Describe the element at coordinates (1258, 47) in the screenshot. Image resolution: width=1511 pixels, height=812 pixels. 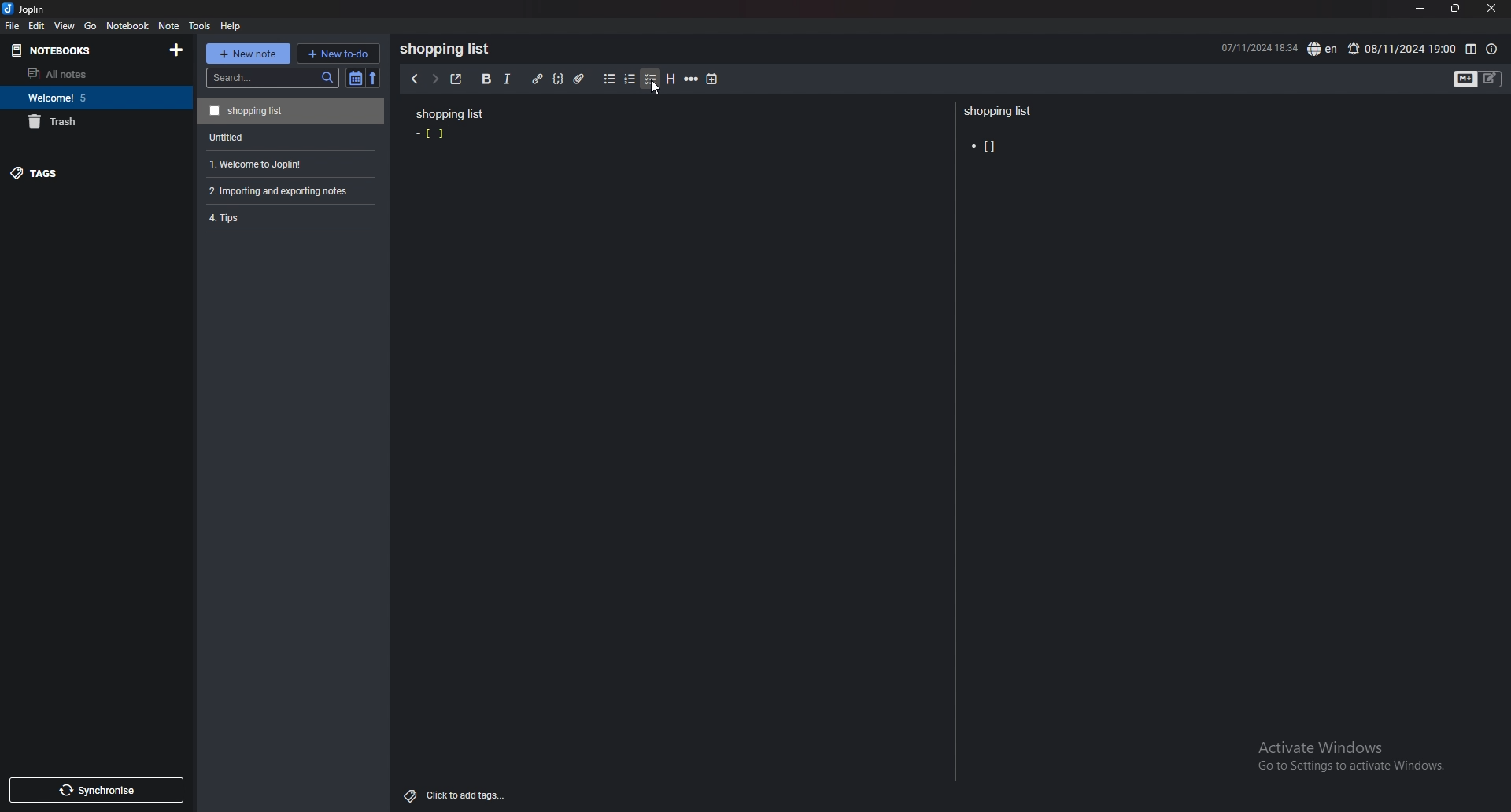
I see `07/11/2024 1833` at that location.